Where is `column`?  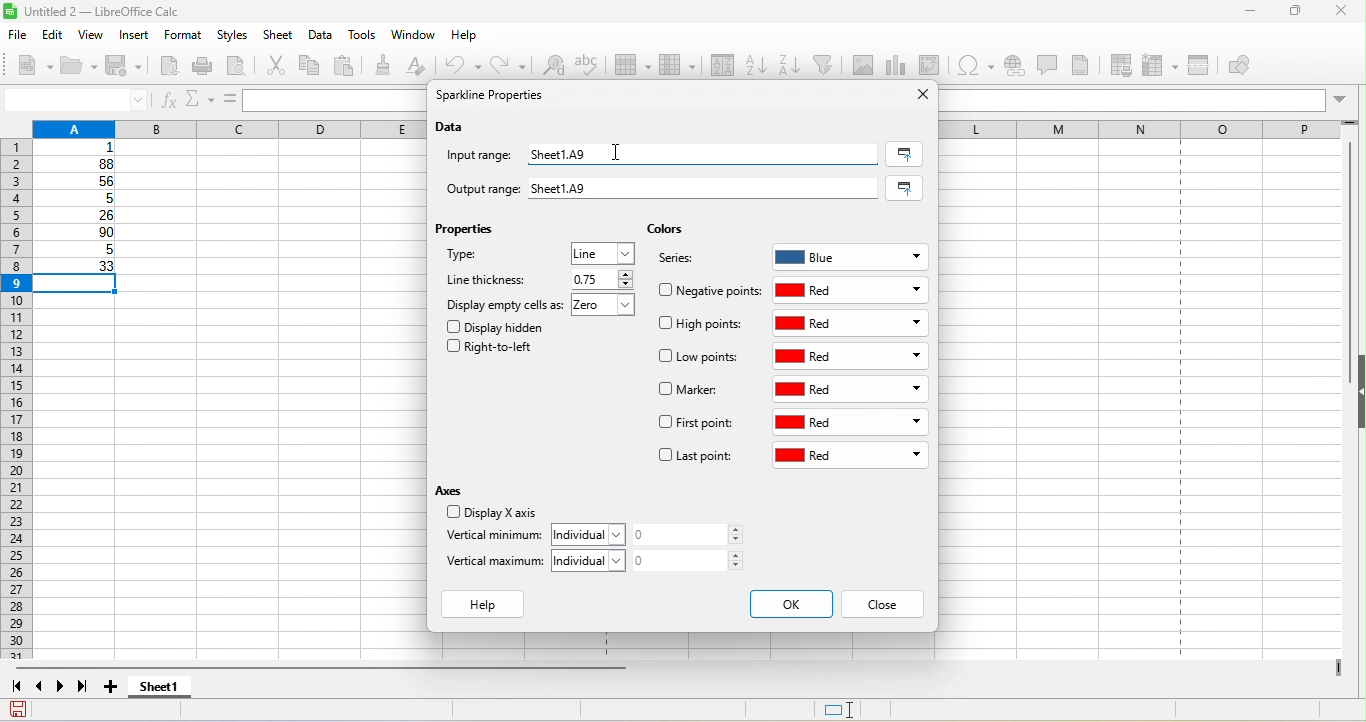
column is located at coordinates (676, 67).